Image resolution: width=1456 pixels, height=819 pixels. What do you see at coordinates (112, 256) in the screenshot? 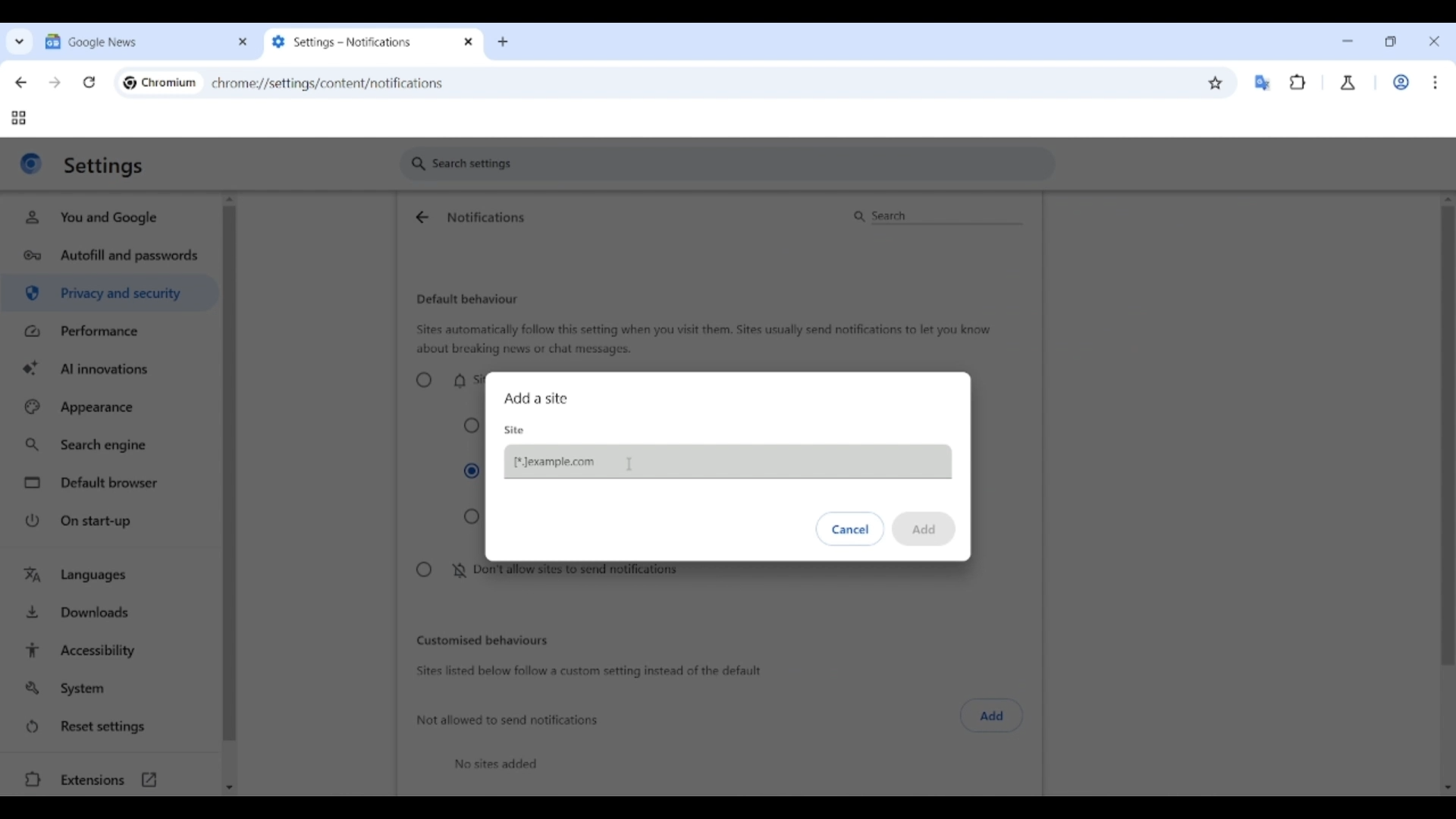
I see `Autofill and passwords` at bounding box center [112, 256].